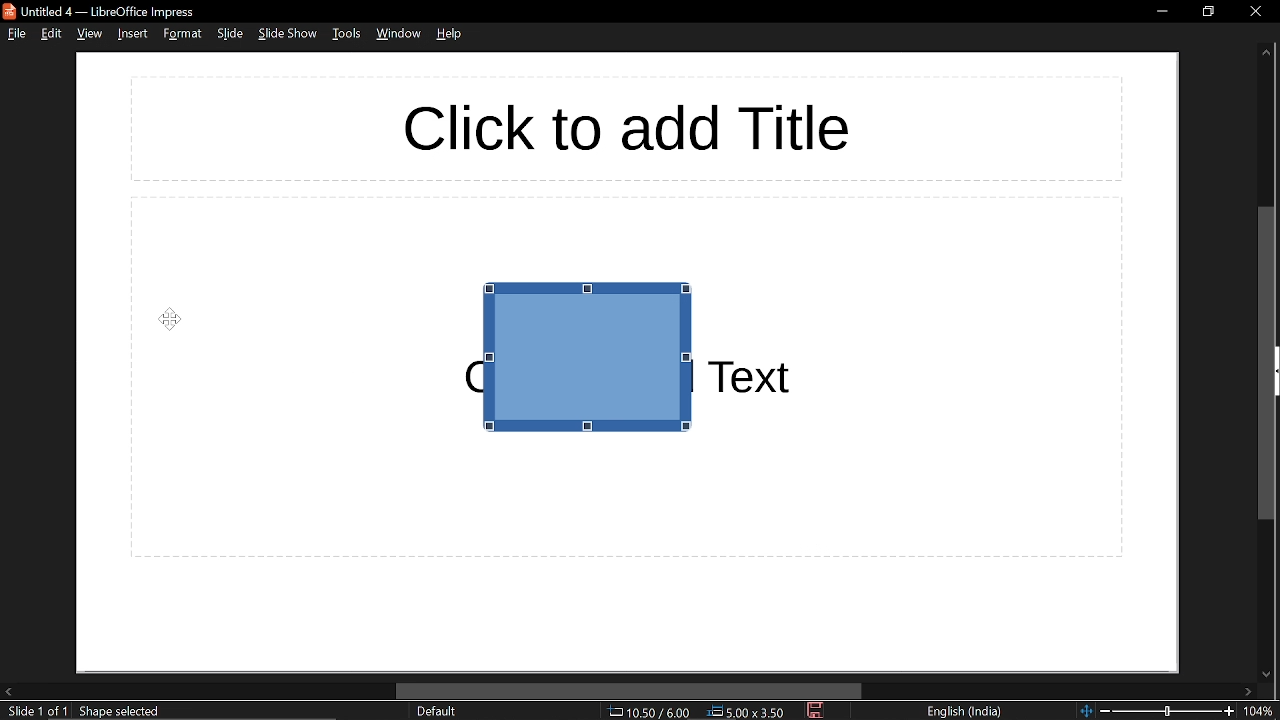 The width and height of the screenshot is (1280, 720). I want to click on close, so click(1255, 10).